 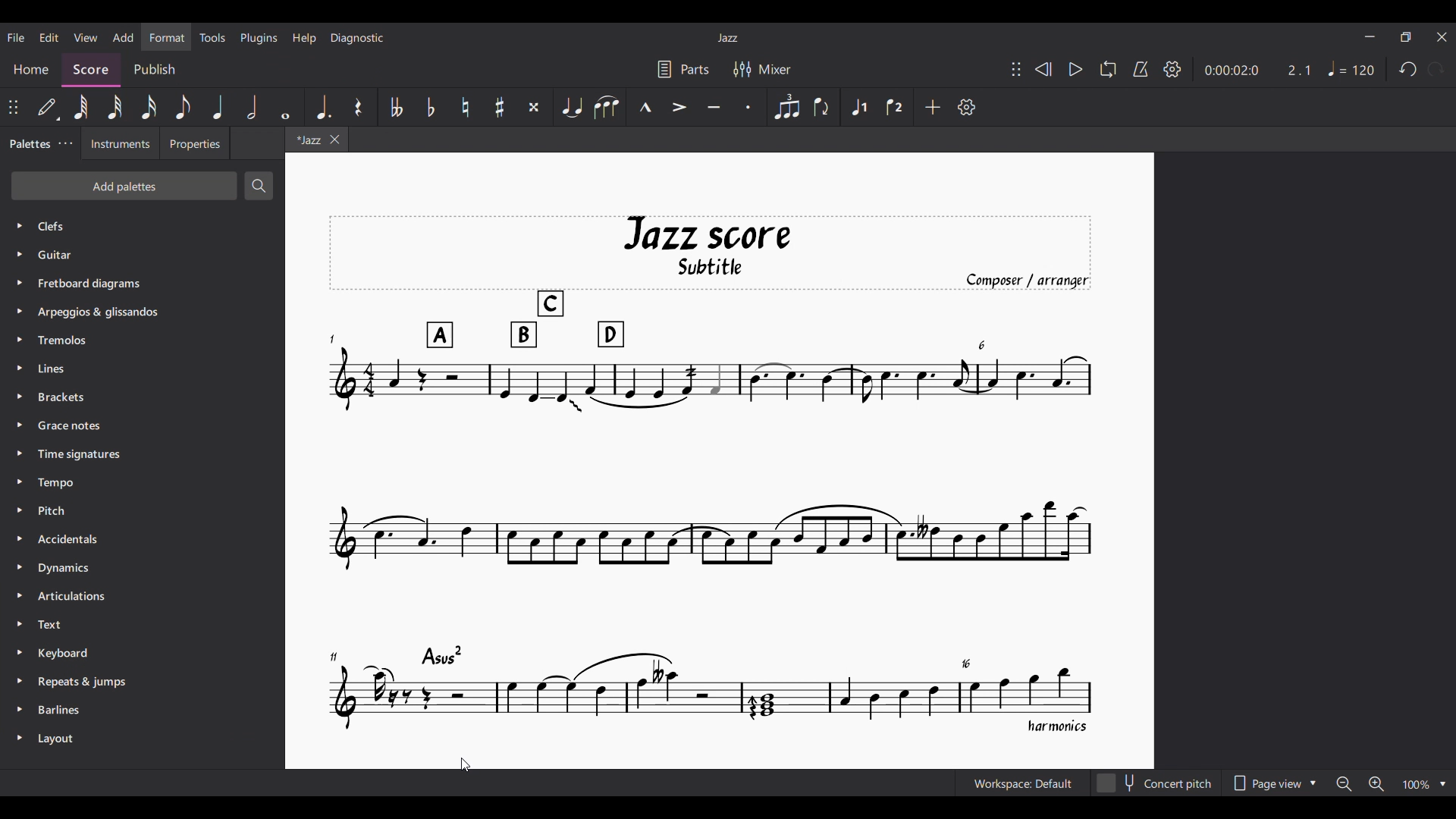 What do you see at coordinates (48, 107) in the screenshot?
I see `Default` at bounding box center [48, 107].